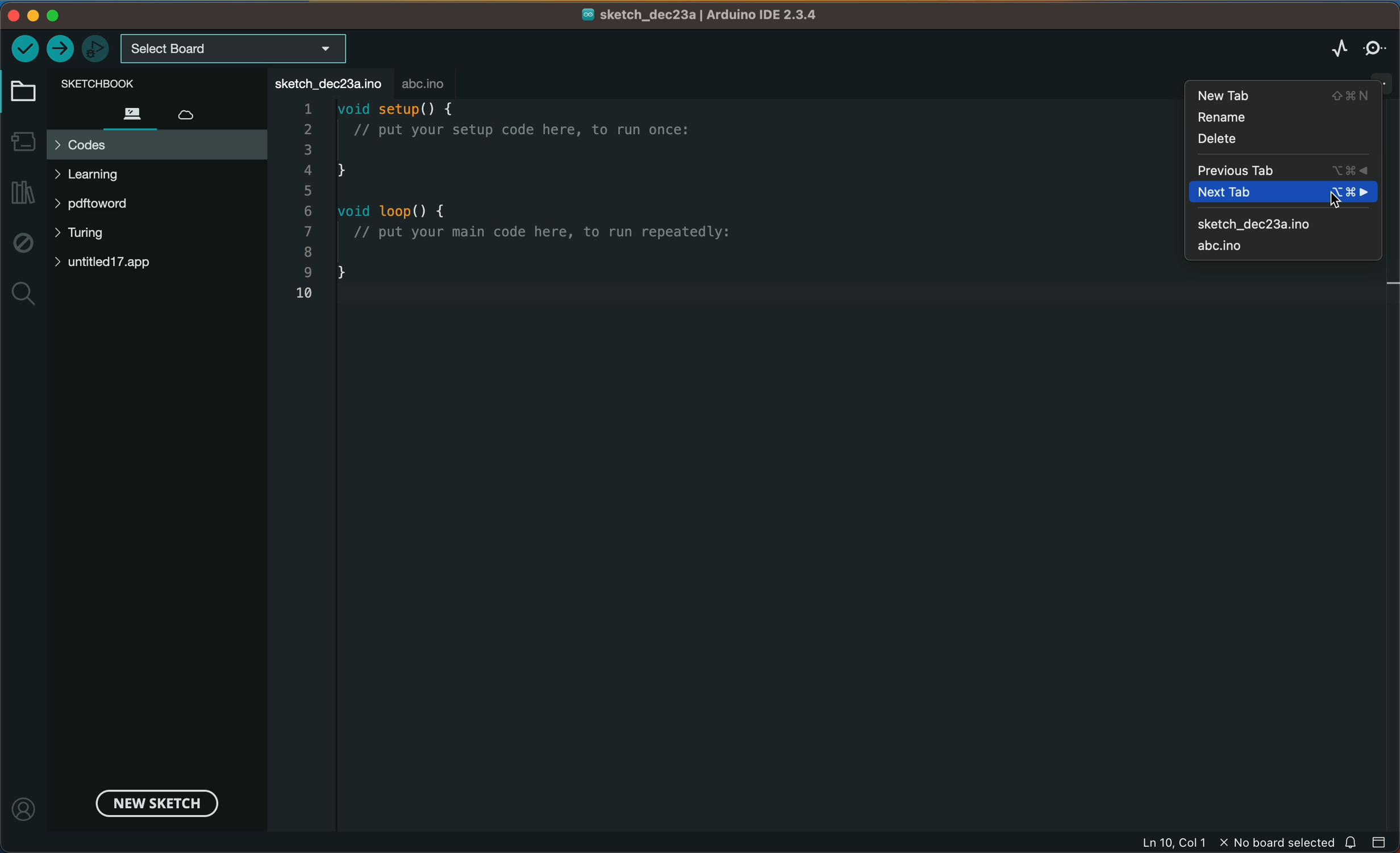 This screenshot has width=1400, height=853. Describe the element at coordinates (102, 205) in the screenshot. I see `pdftword` at that location.